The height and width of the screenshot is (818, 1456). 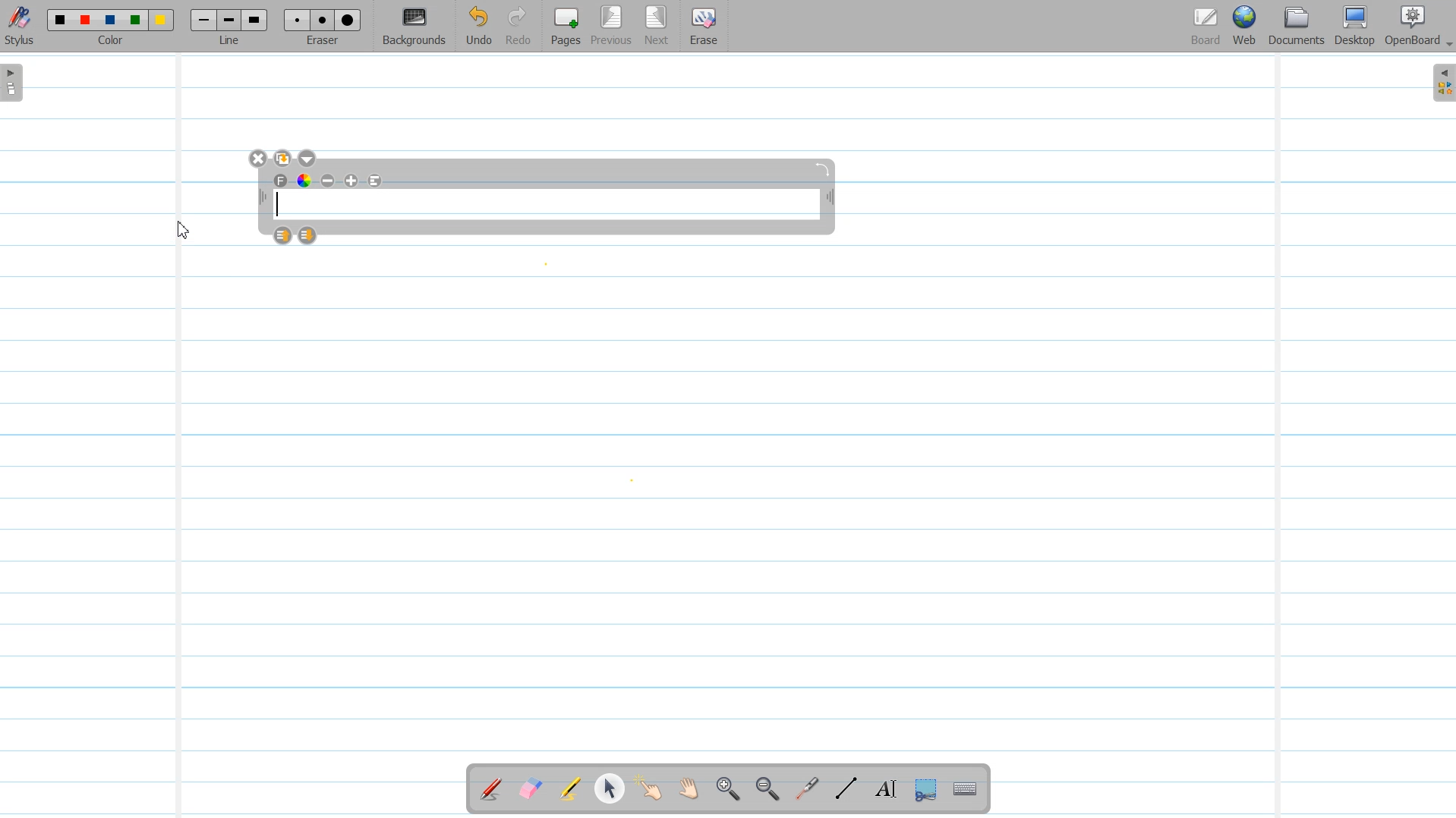 What do you see at coordinates (284, 235) in the screenshot?
I see `Layer up` at bounding box center [284, 235].